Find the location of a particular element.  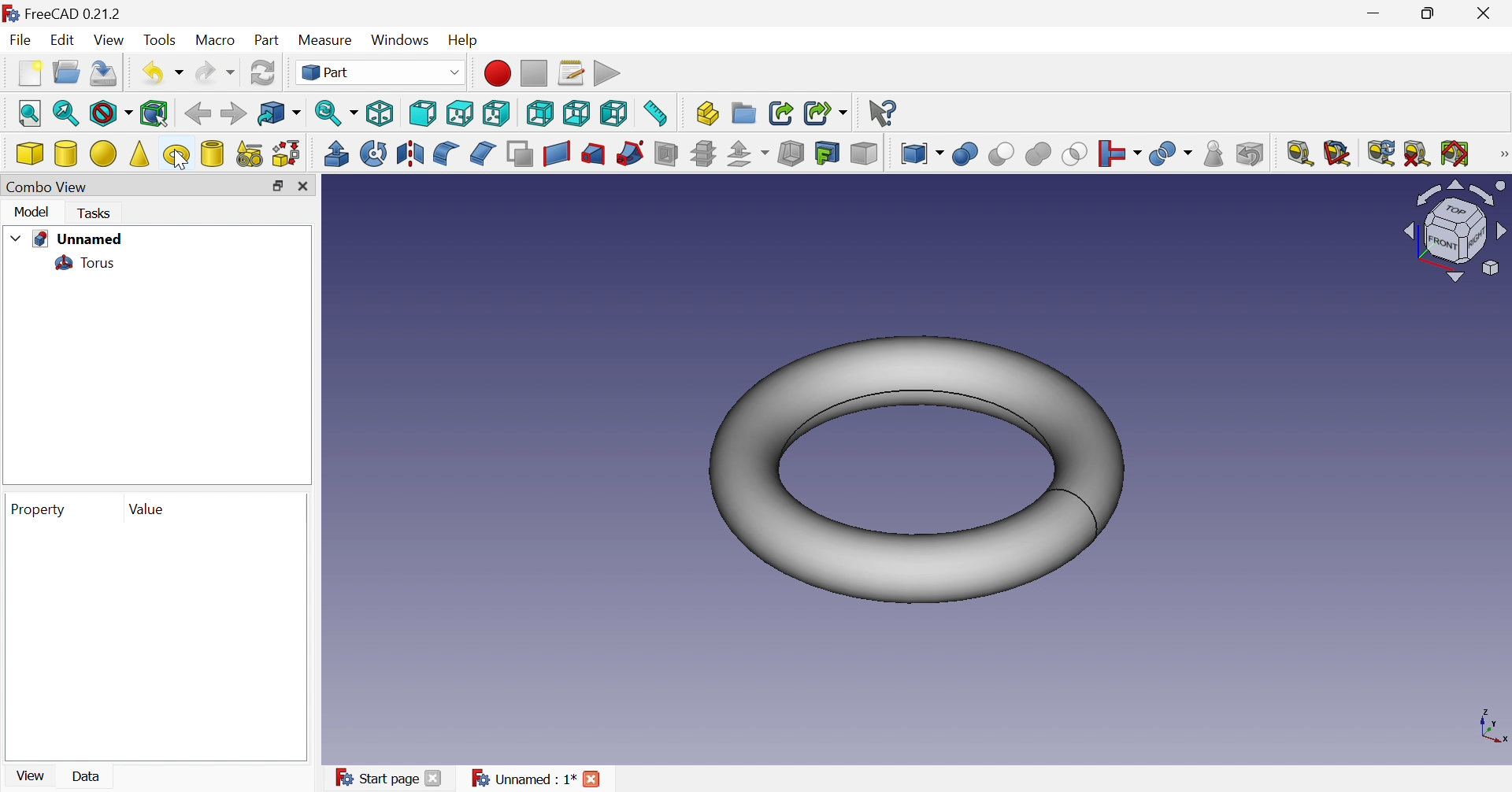

FreeCAD 0.21.2 is located at coordinates (83, 15).